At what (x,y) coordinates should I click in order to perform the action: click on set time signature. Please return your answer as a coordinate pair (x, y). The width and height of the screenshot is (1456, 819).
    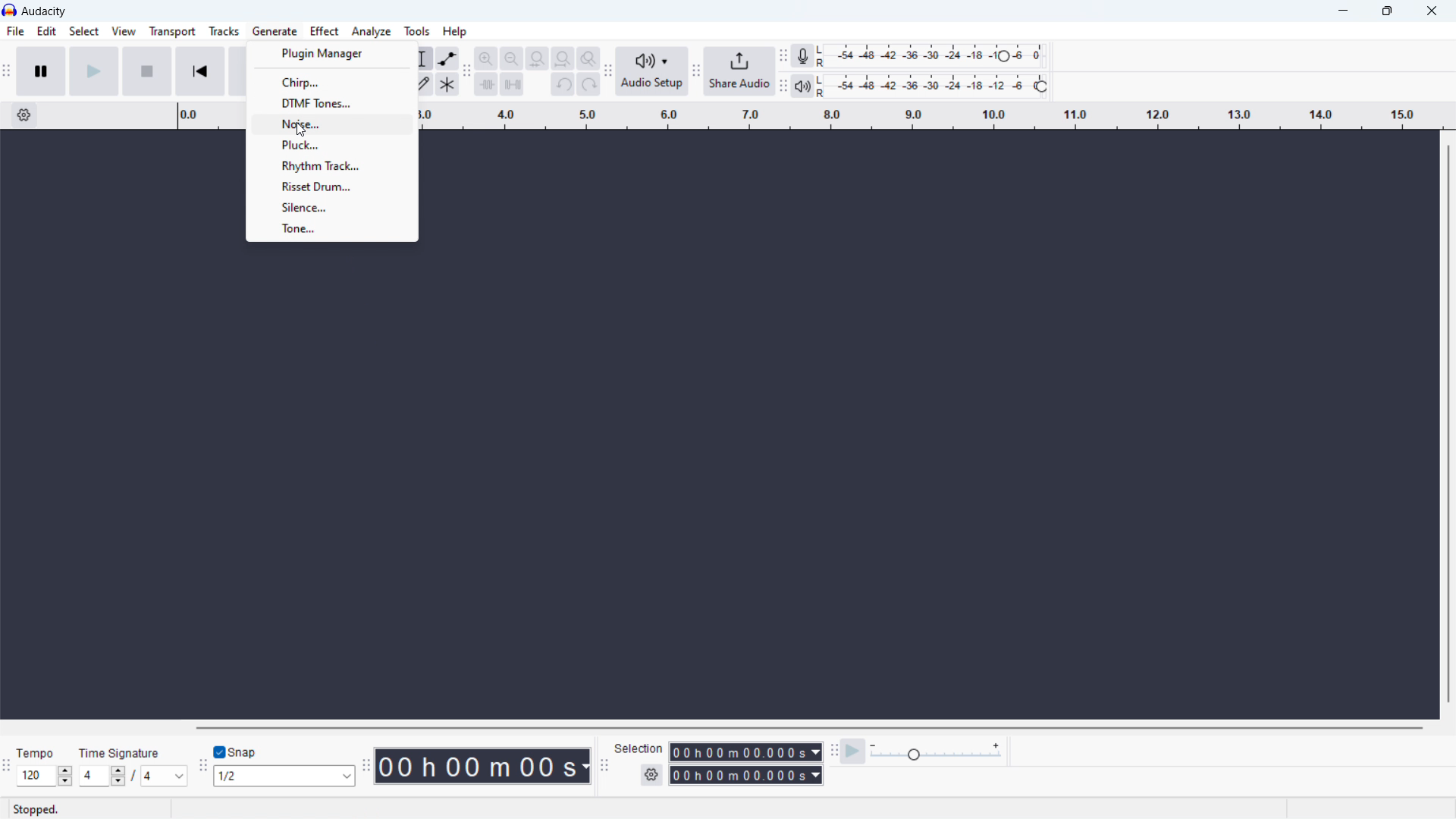
    Looking at the image, I should click on (133, 776).